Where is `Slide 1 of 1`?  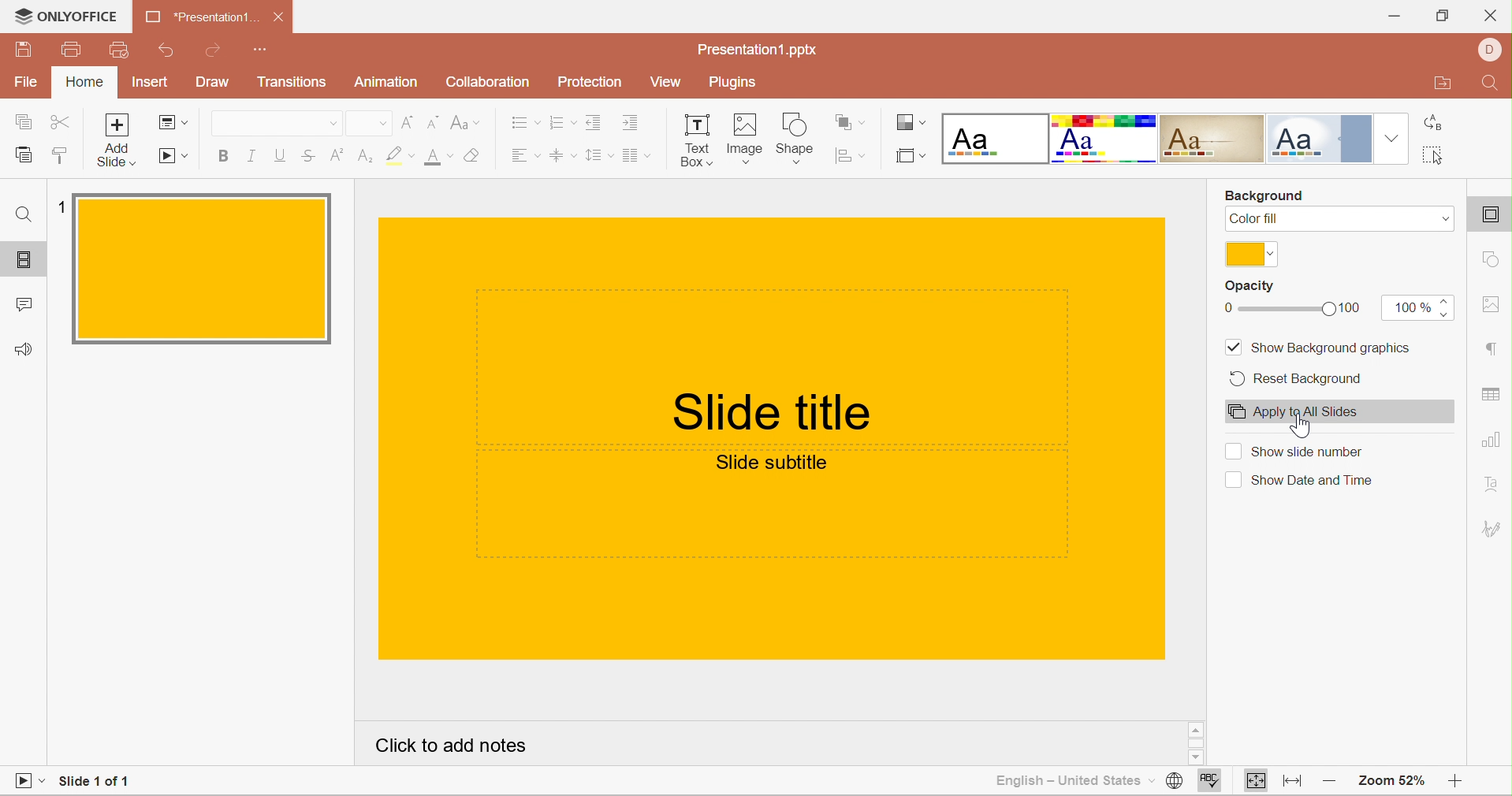 Slide 1 of 1 is located at coordinates (92, 783).